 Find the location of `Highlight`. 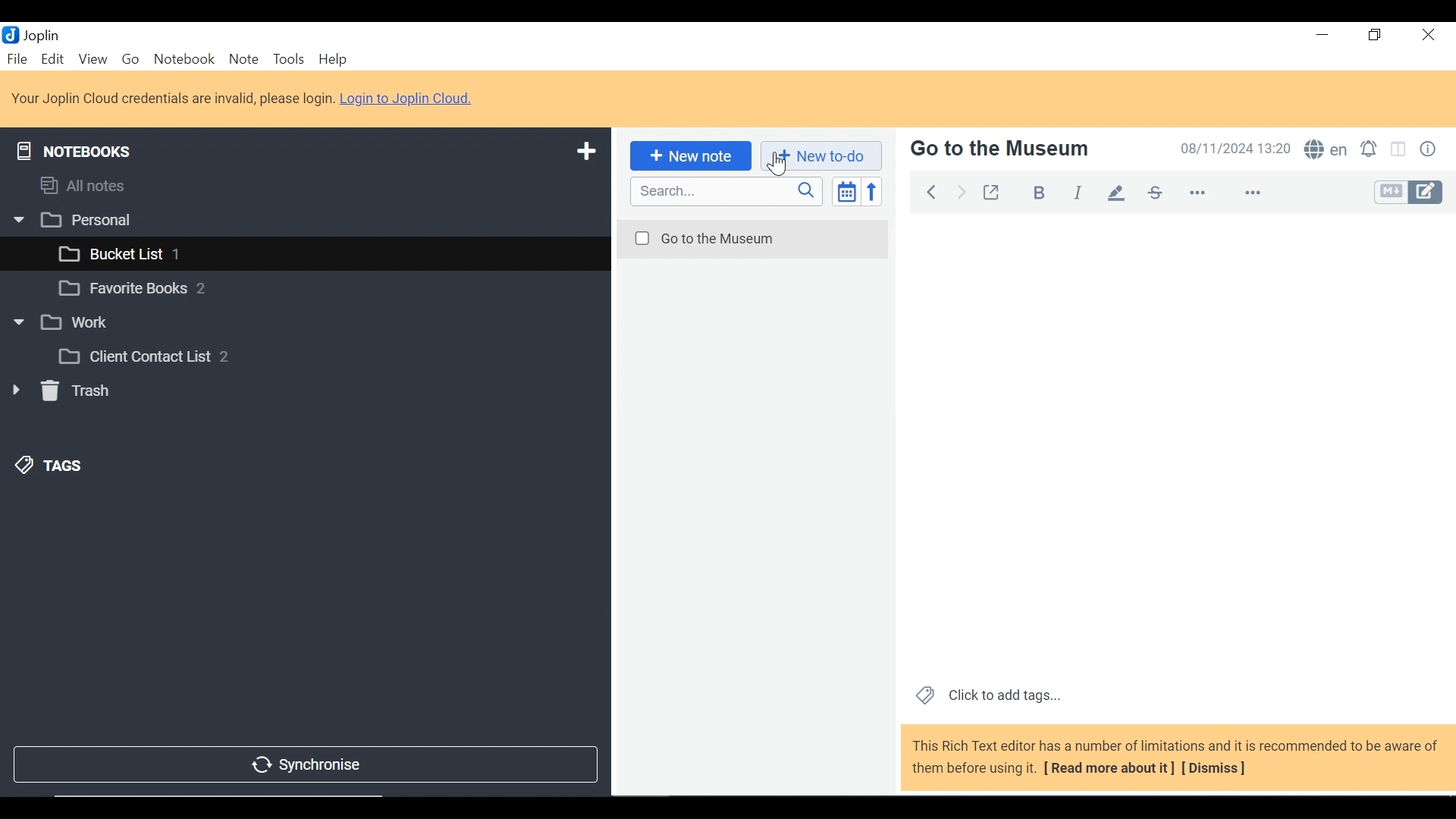

Highlight is located at coordinates (1121, 192).